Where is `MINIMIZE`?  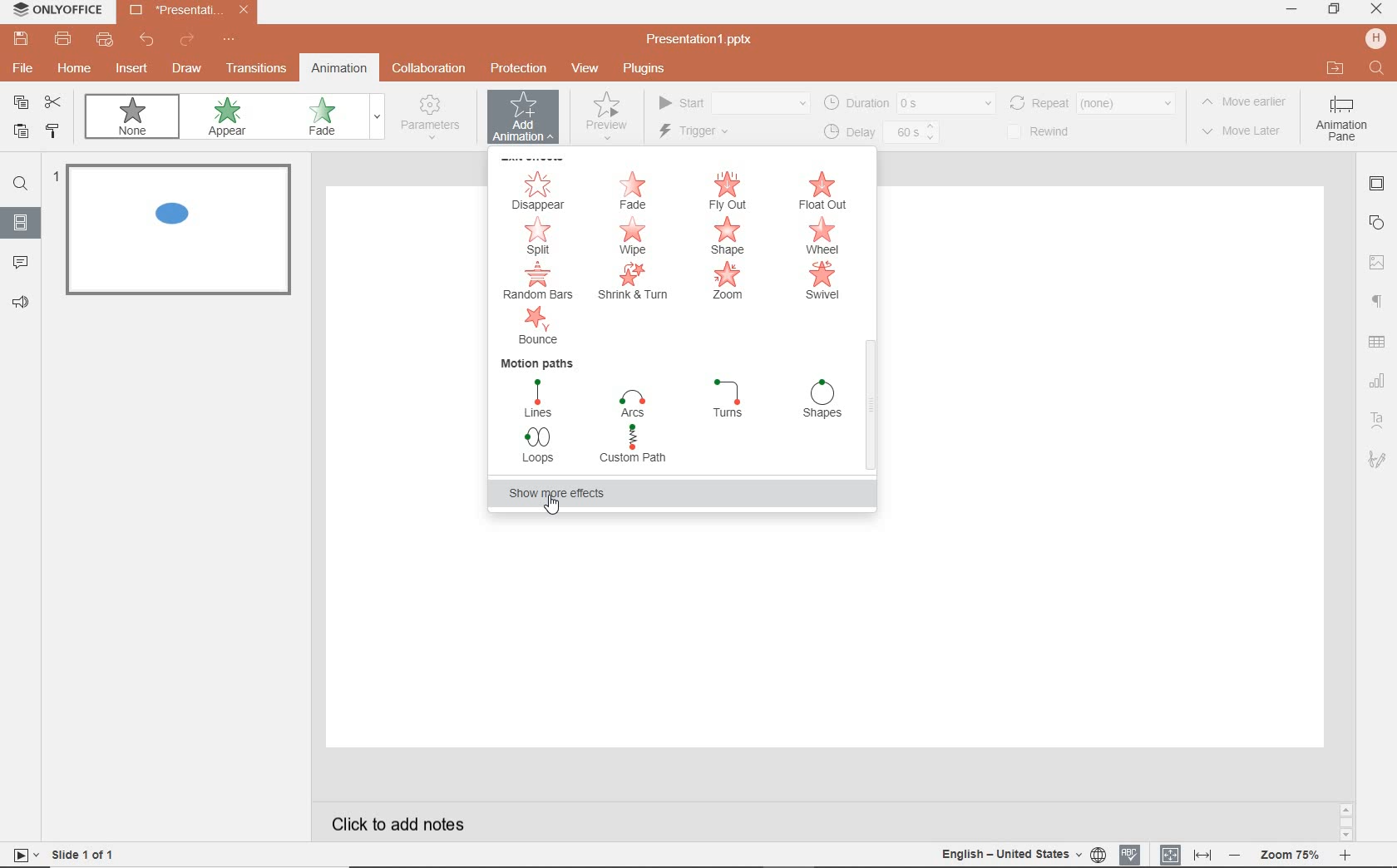
MINIMIZE is located at coordinates (1291, 9).